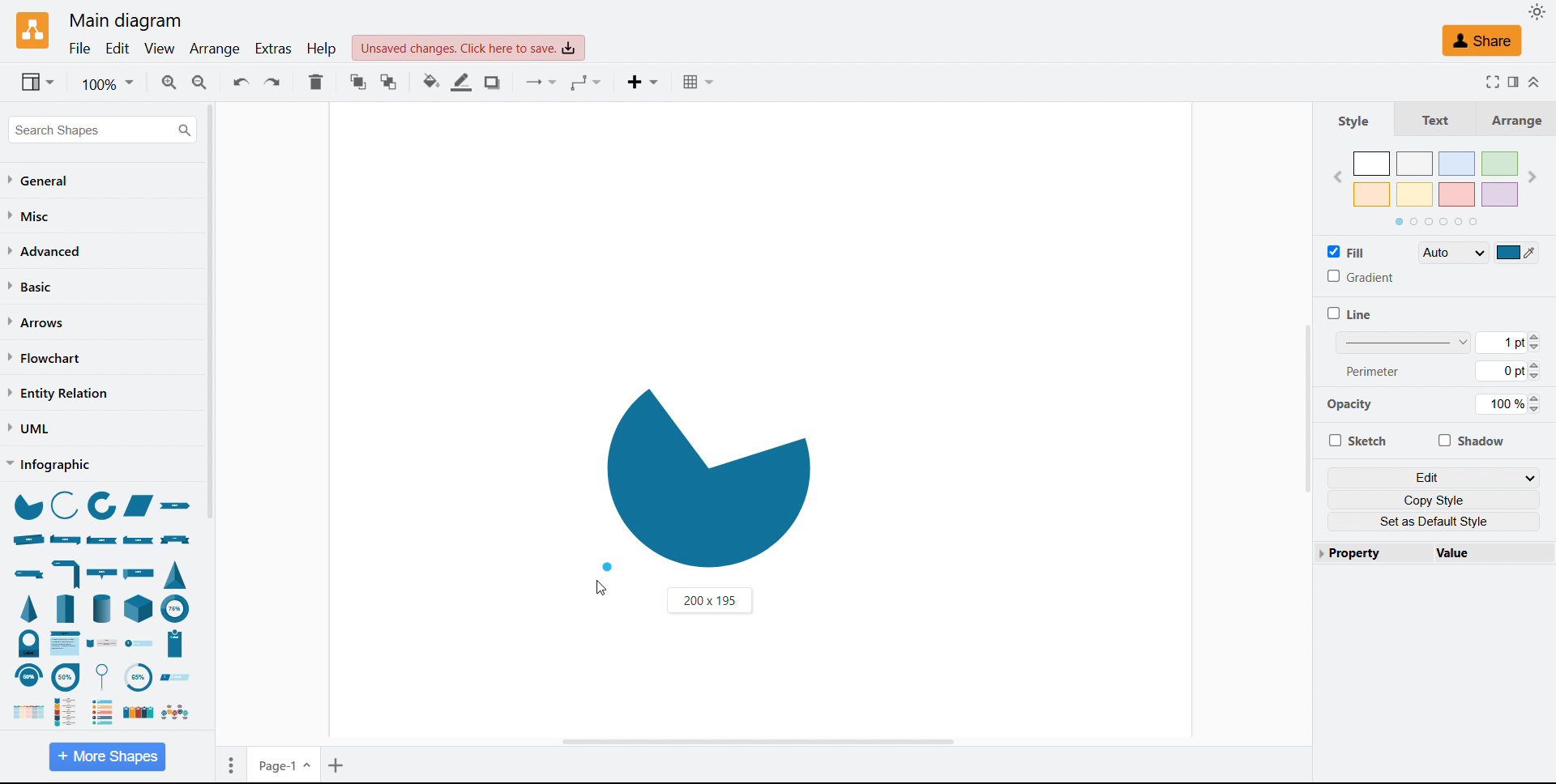 This screenshot has width=1556, height=784. I want to click on Format , so click(1512, 81).